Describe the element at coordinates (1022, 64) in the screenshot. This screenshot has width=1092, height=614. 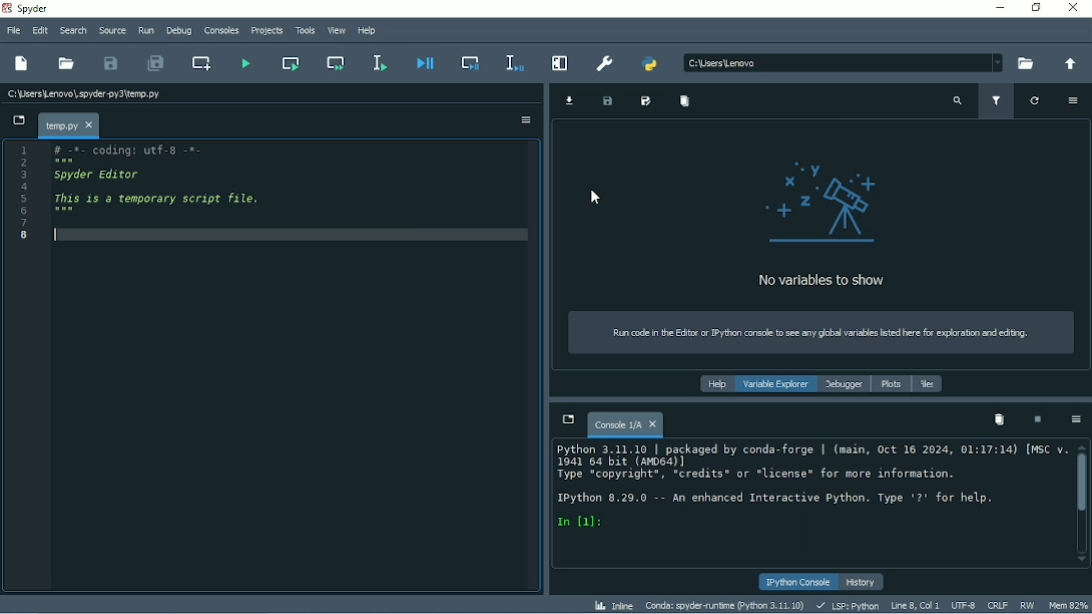
I see `Browse a working directory` at that location.